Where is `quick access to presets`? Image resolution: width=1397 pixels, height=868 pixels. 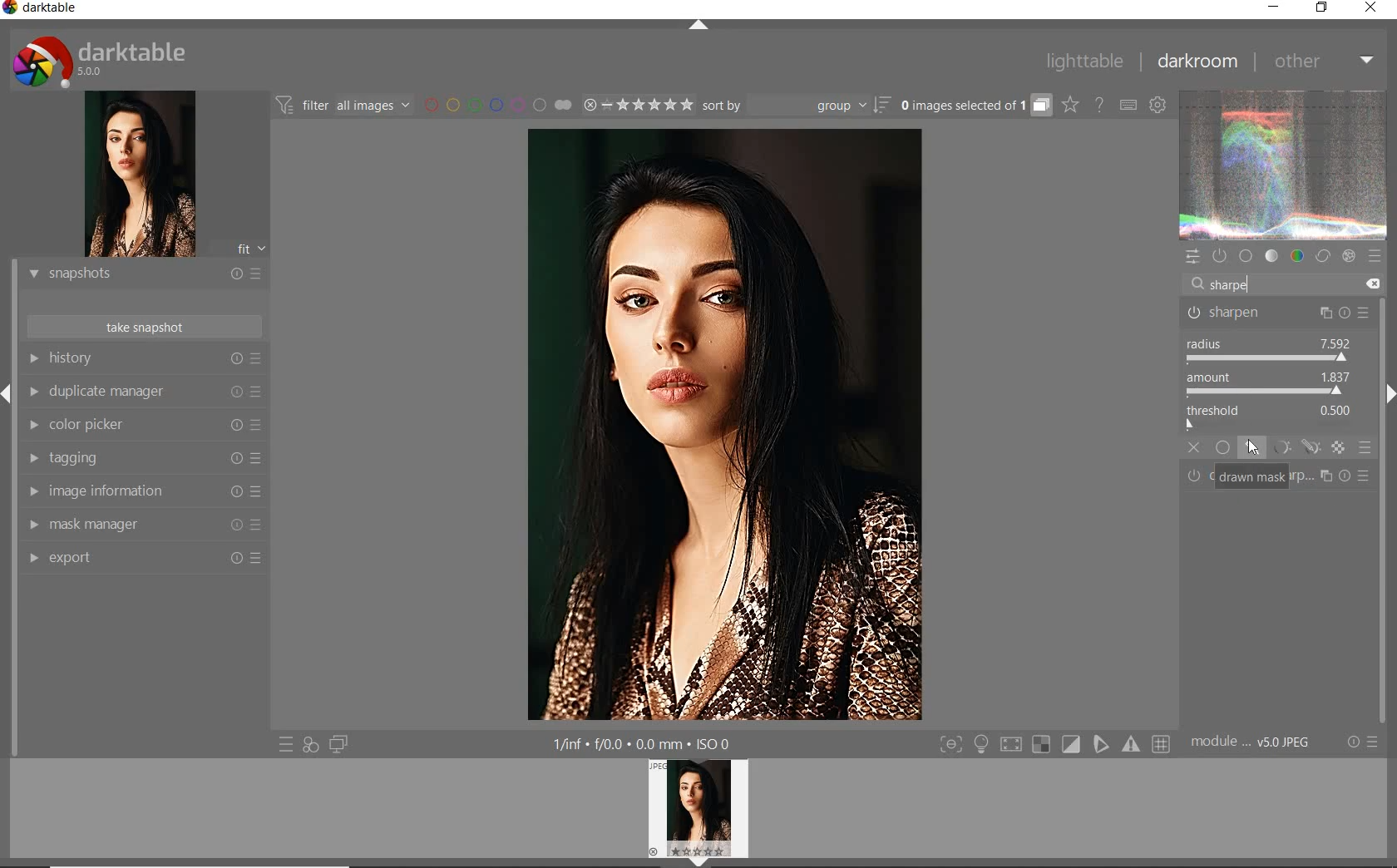 quick access to presets is located at coordinates (284, 744).